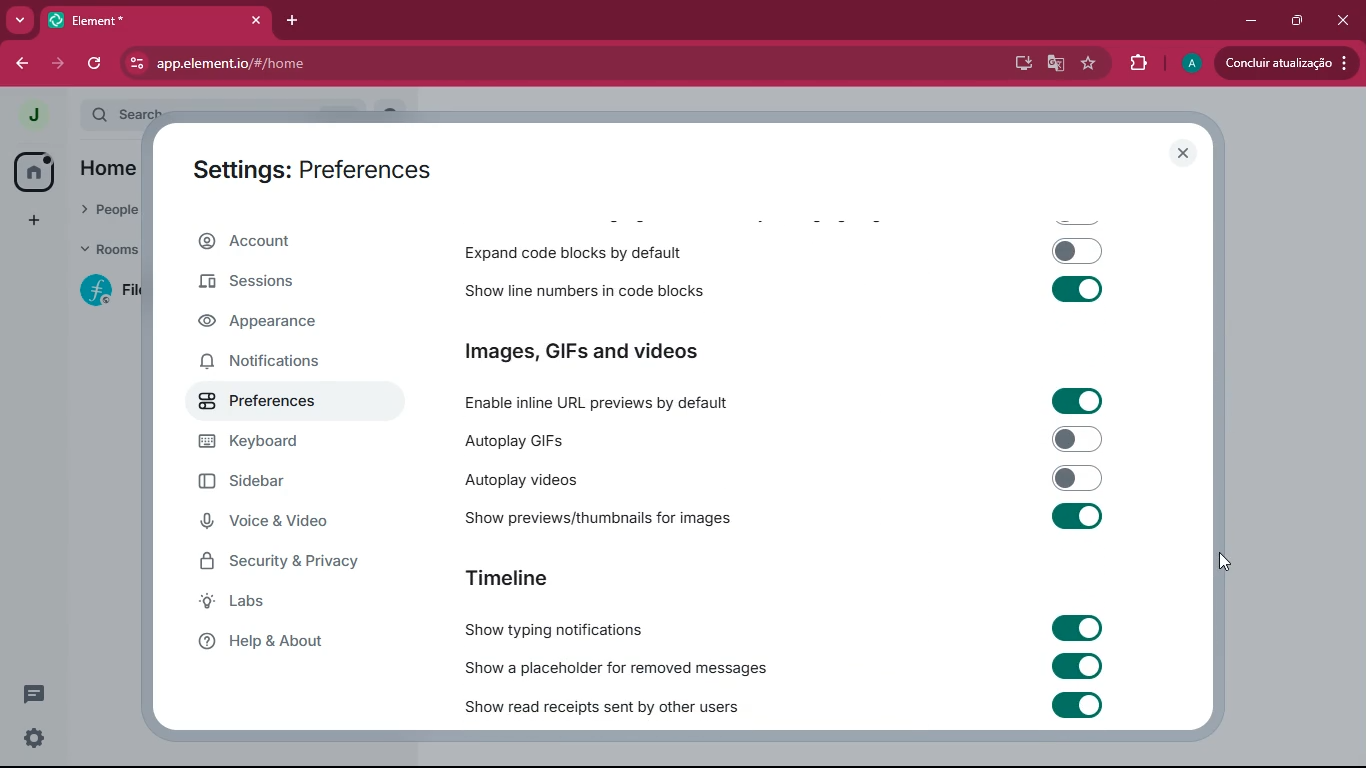 The image size is (1366, 768). Describe the element at coordinates (34, 694) in the screenshot. I see `threads` at that location.